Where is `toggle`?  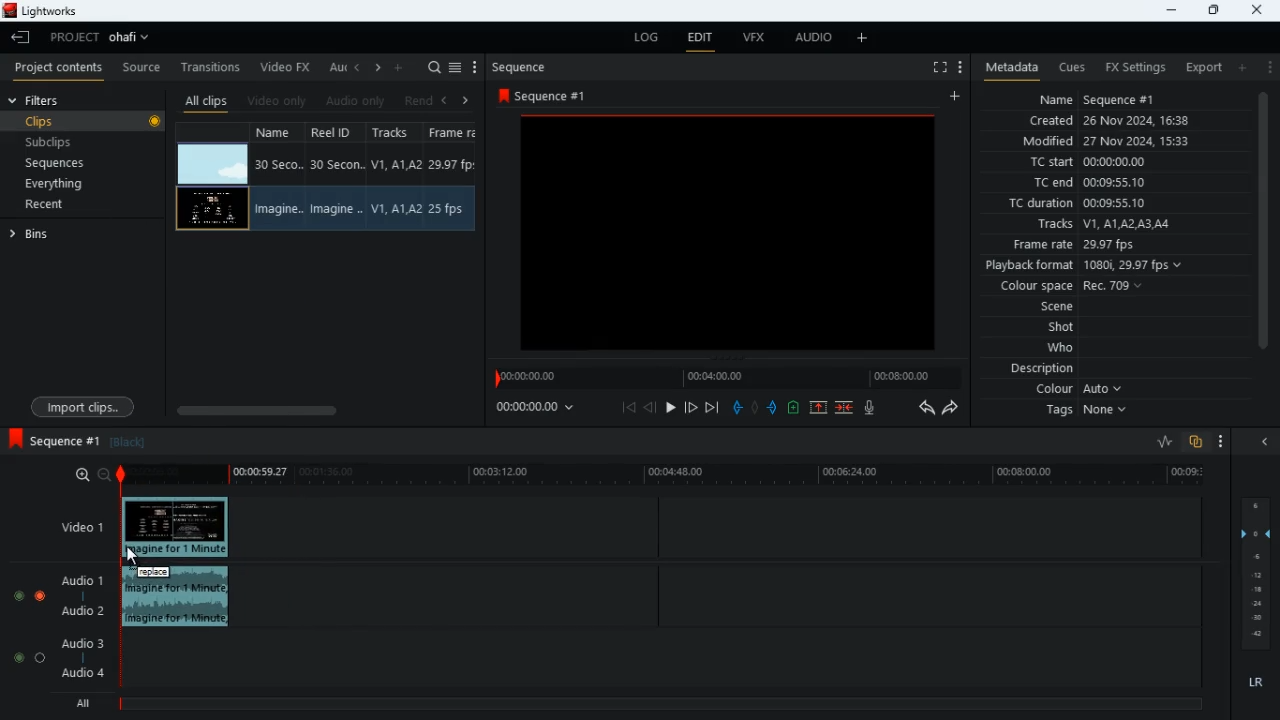 toggle is located at coordinates (18, 597).